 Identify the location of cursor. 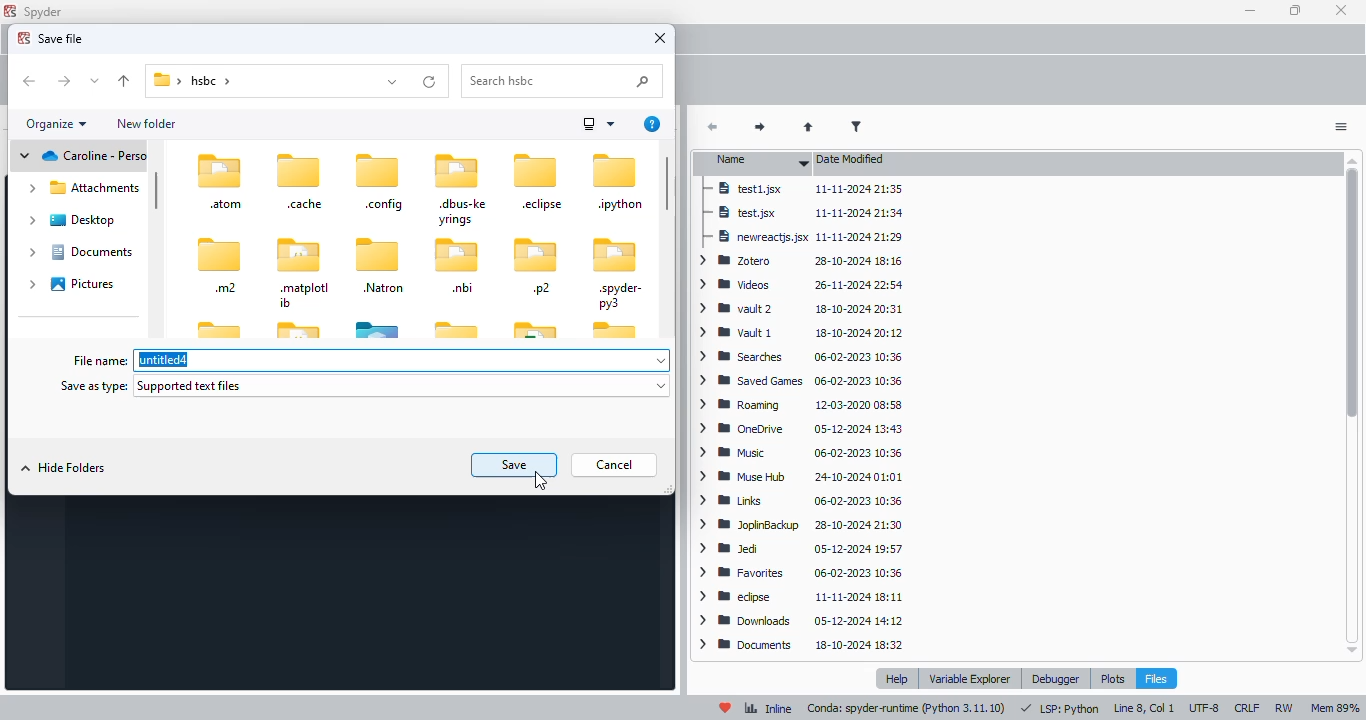
(540, 480).